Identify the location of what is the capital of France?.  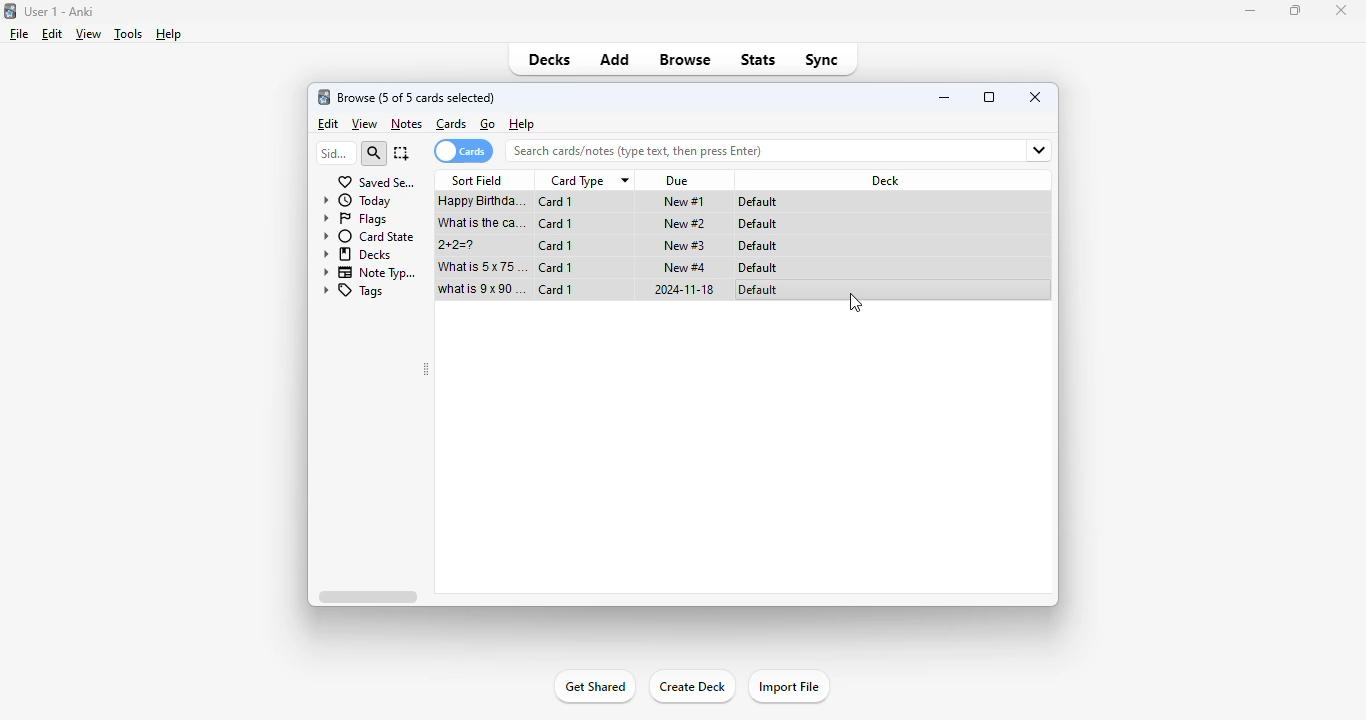
(481, 223).